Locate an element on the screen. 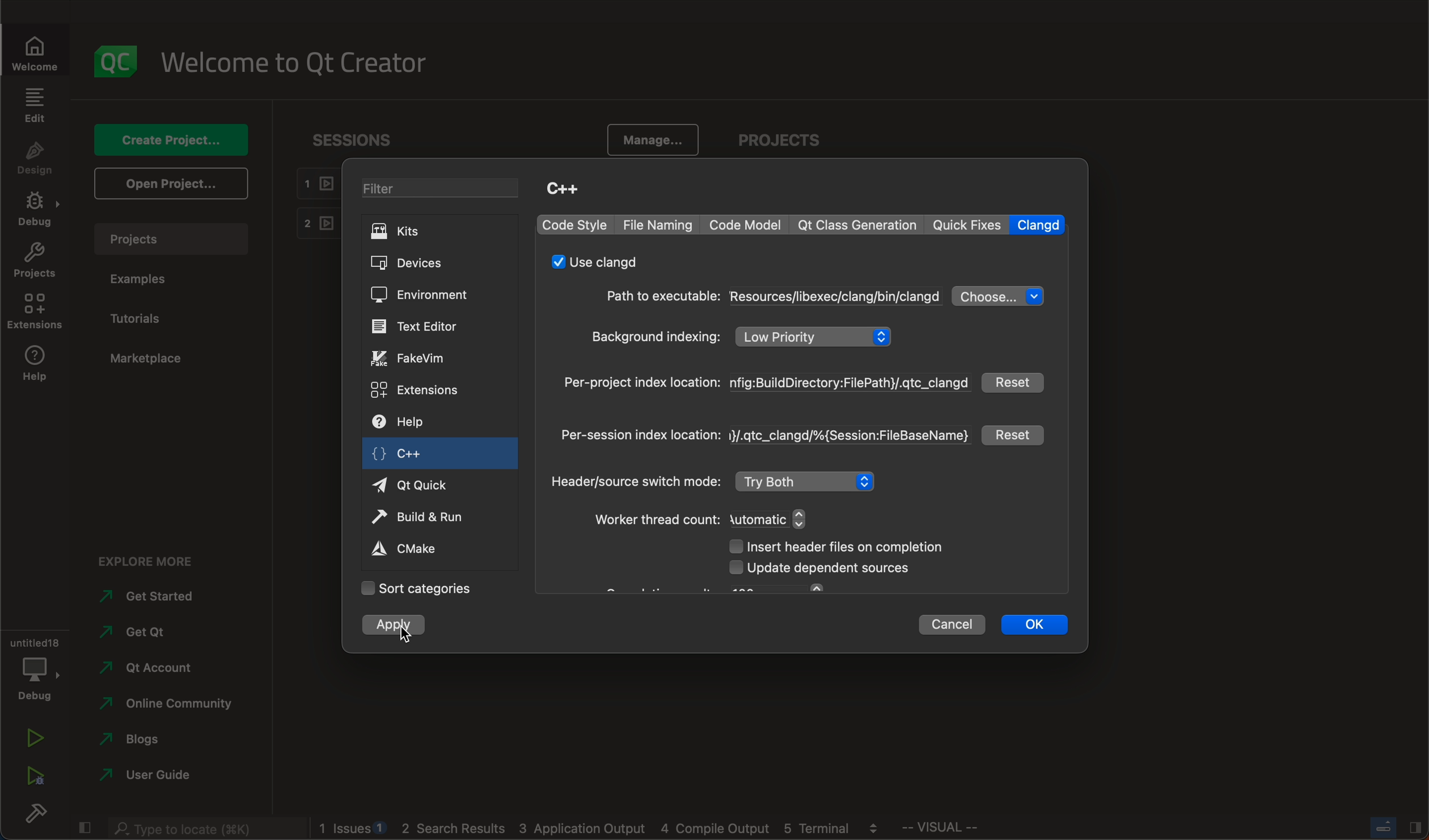 The width and height of the screenshot is (1429, 840). get qt is located at coordinates (145, 633).